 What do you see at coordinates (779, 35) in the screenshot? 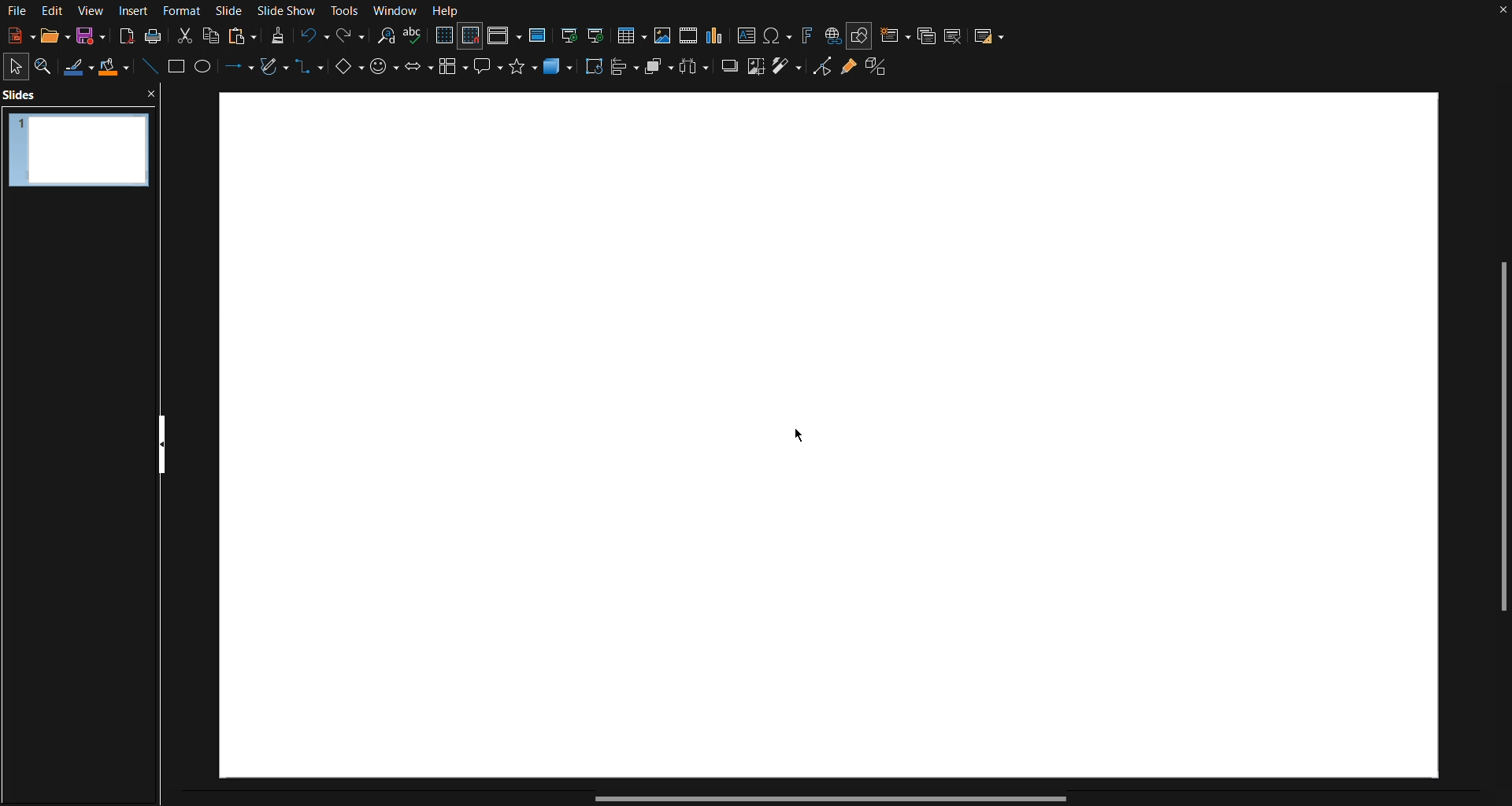
I see `Insert Special Character` at bounding box center [779, 35].